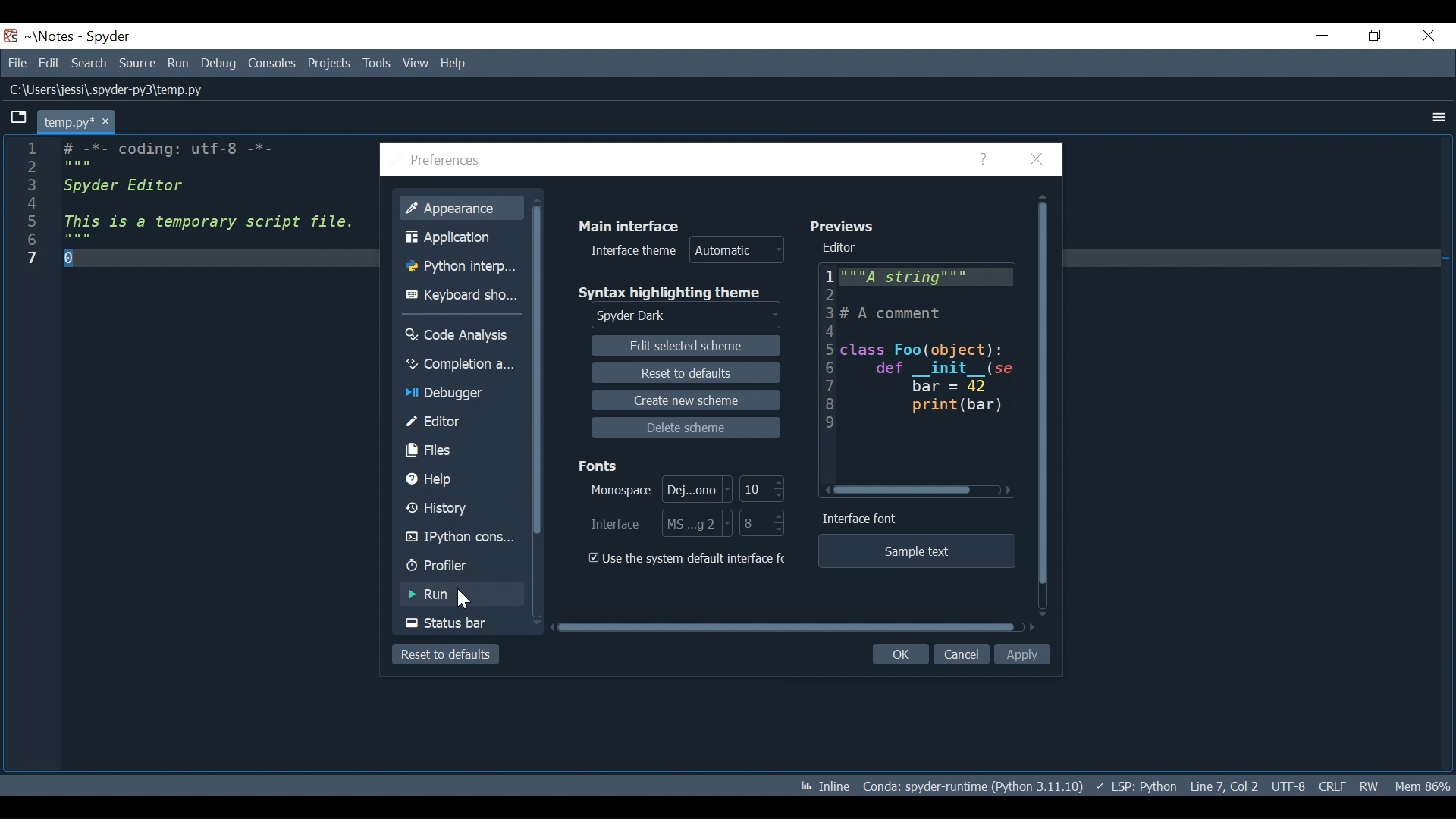  Describe the element at coordinates (961, 654) in the screenshot. I see `Cancel` at that location.